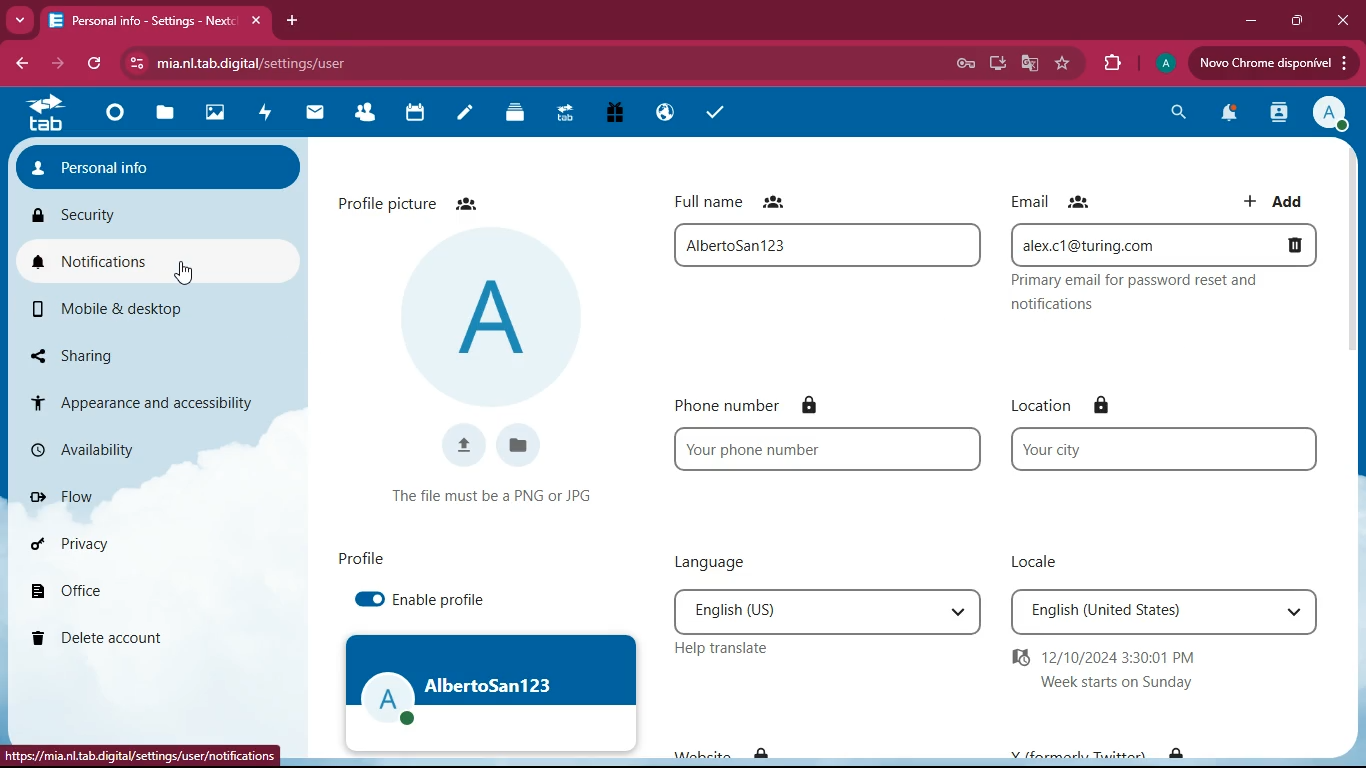 This screenshot has height=768, width=1366. Describe the element at coordinates (760, 404) in the screenshot. I see `phone number` at that location.